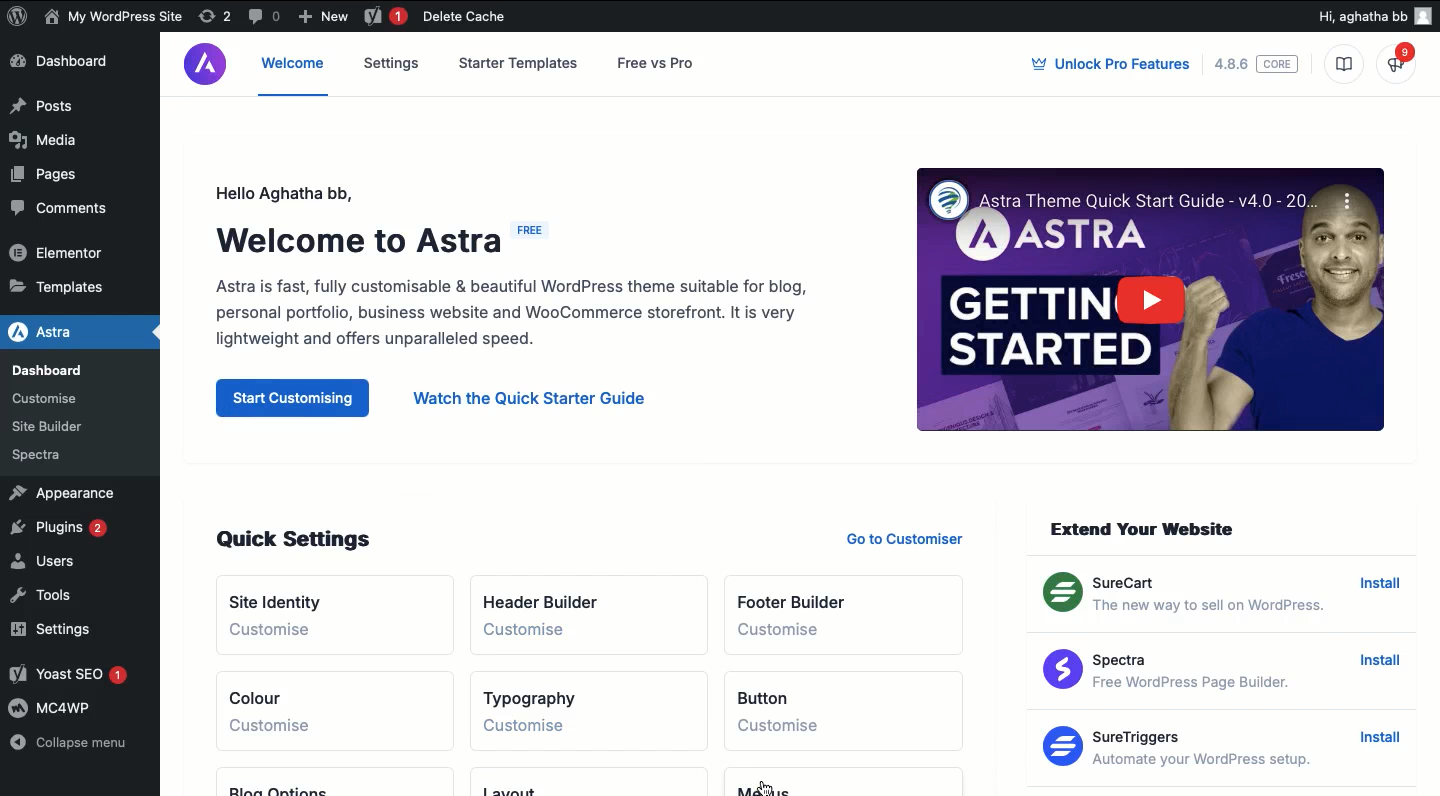 The width and height of the screenshot is (1440, 796). Describe the element at coordinates (43, 455) in the screenshot. I see `Spectra` at that location.